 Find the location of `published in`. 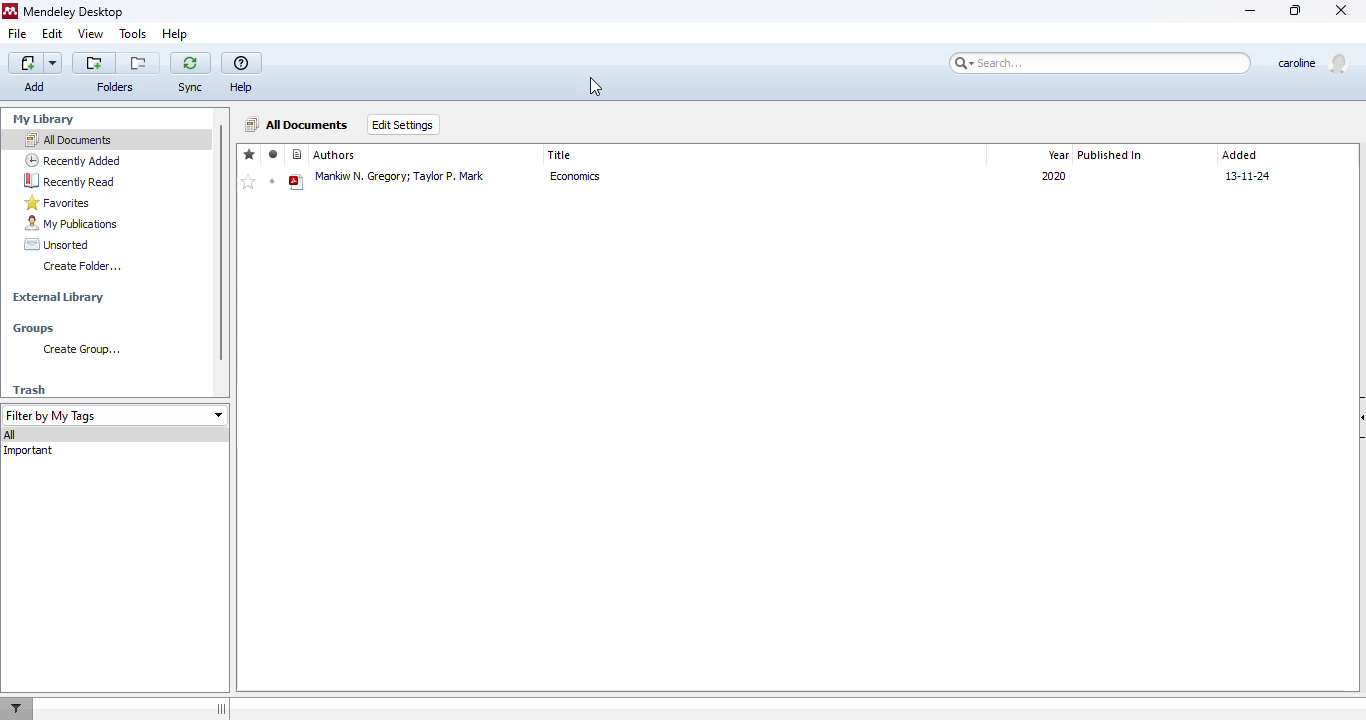

published in is located at coordinates (1111, 155).